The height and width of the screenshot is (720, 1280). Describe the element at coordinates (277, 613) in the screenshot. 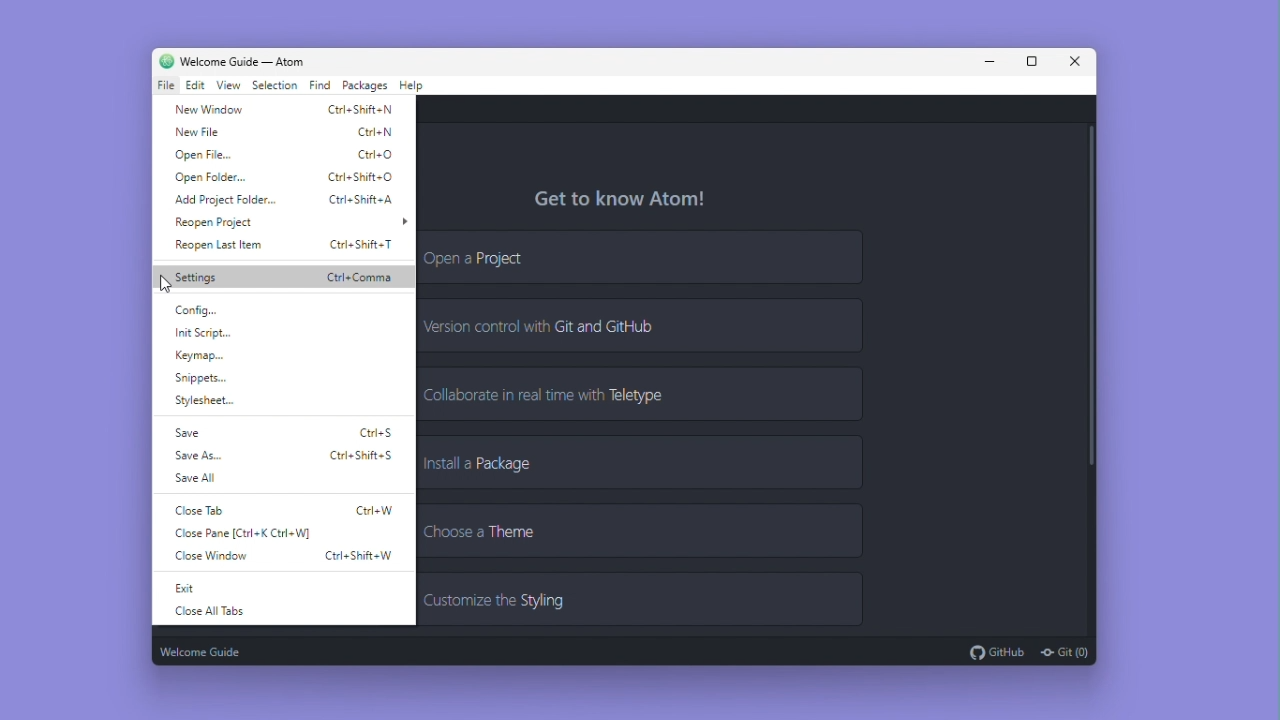

I see `Close All Tabs` at that location.